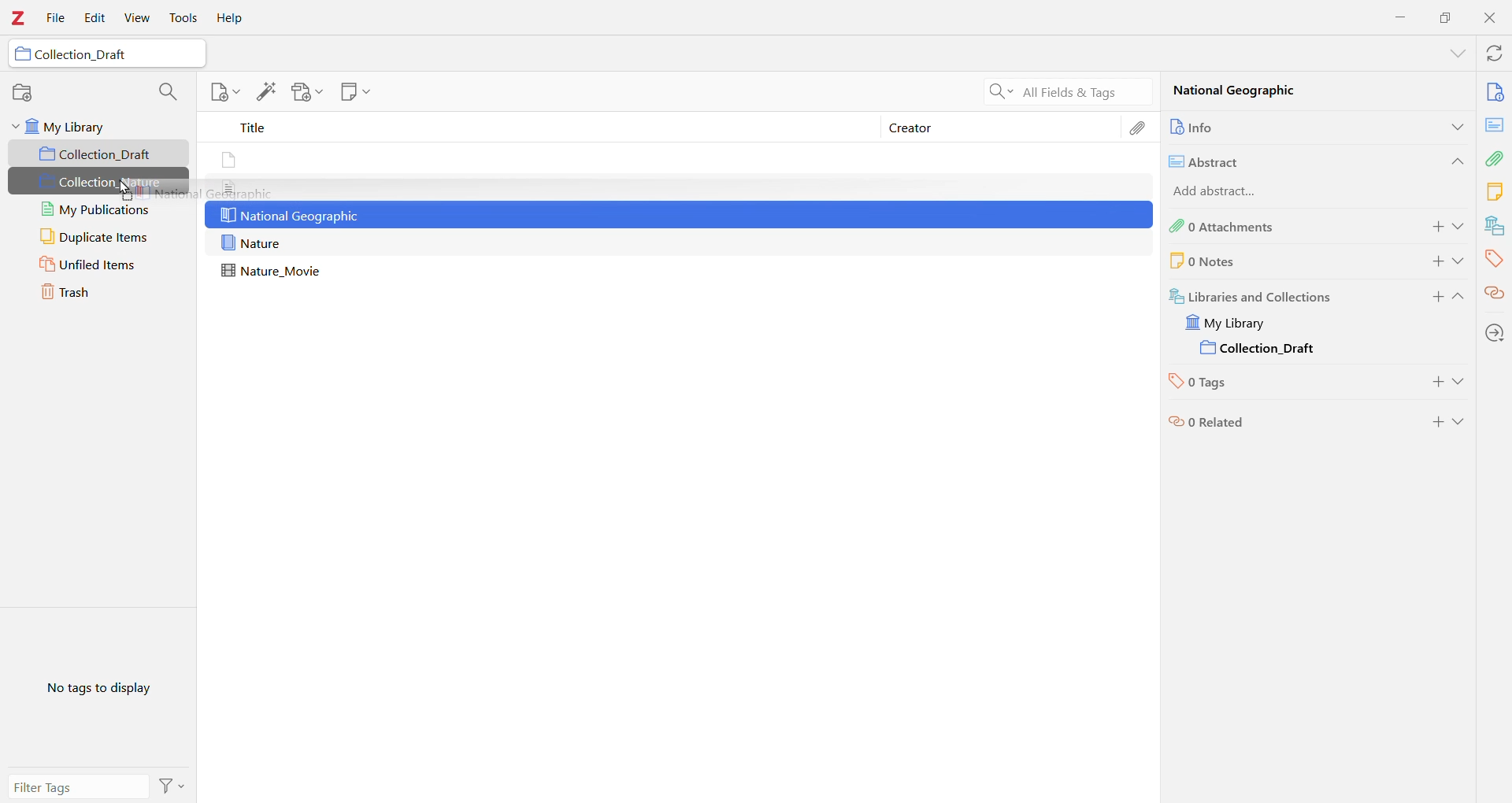  Describe the element at coordinates (99, 183) in the screenshot. I see `Collection_Nature` at that location.